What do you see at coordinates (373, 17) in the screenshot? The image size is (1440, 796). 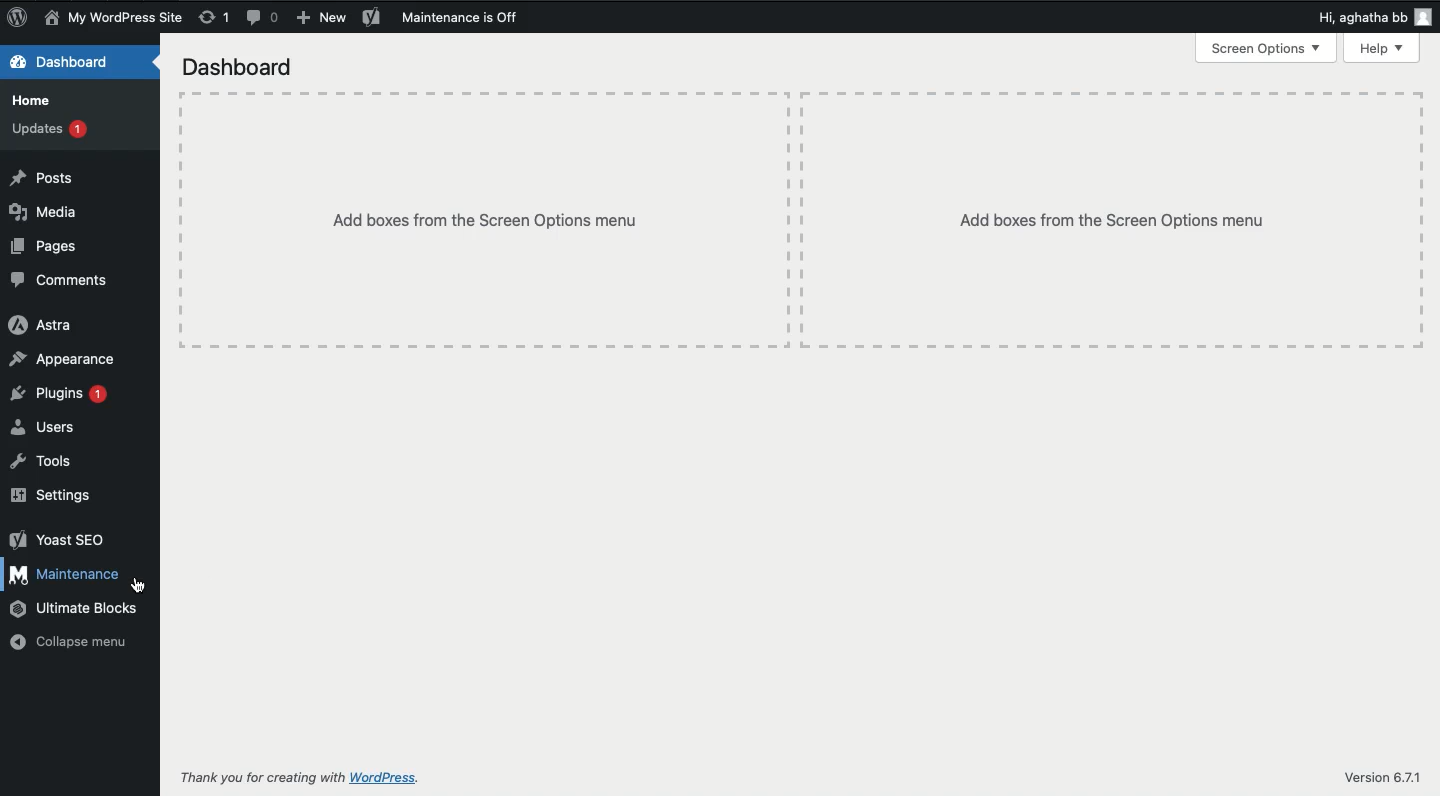 I see `Yoast ` at bounding box center [373, 17].